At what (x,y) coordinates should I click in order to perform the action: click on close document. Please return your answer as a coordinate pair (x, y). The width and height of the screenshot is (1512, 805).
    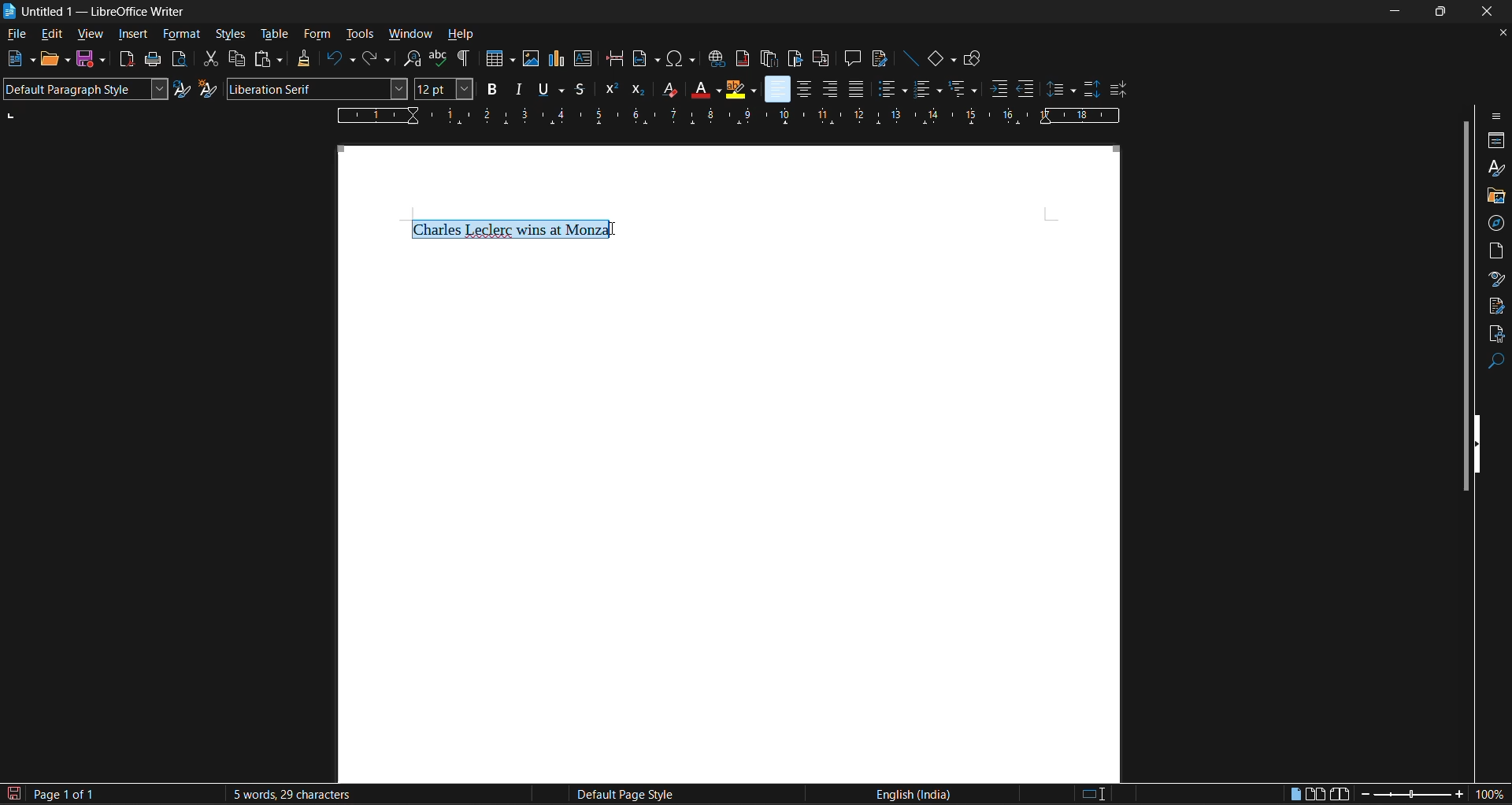
    Looking at the image, I should click on (1498, 33).